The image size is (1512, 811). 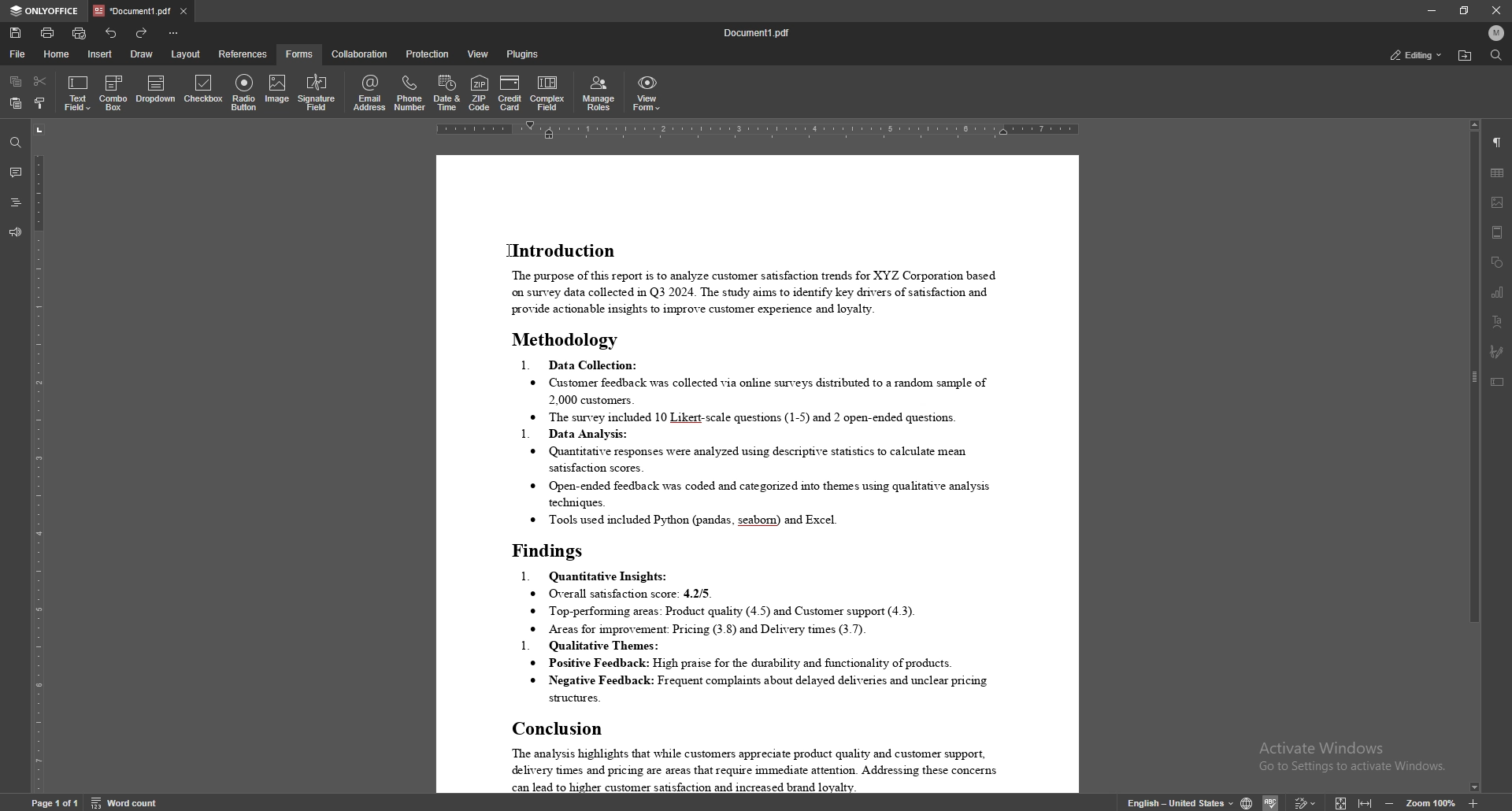 I want to click on complex field, so click(x=549, y=94).